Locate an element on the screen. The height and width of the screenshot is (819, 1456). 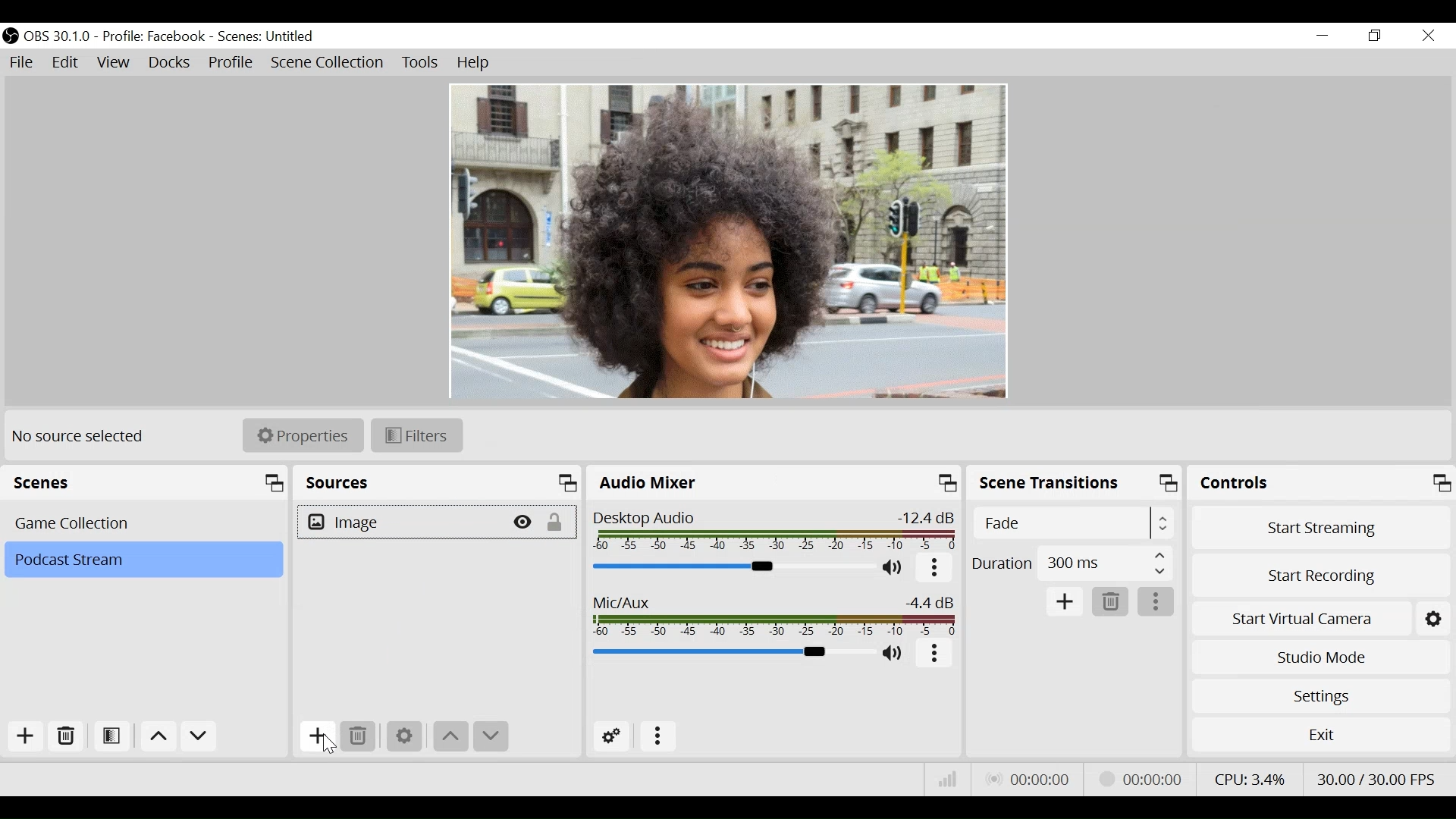
Sources is located at coordinates (440, 483).